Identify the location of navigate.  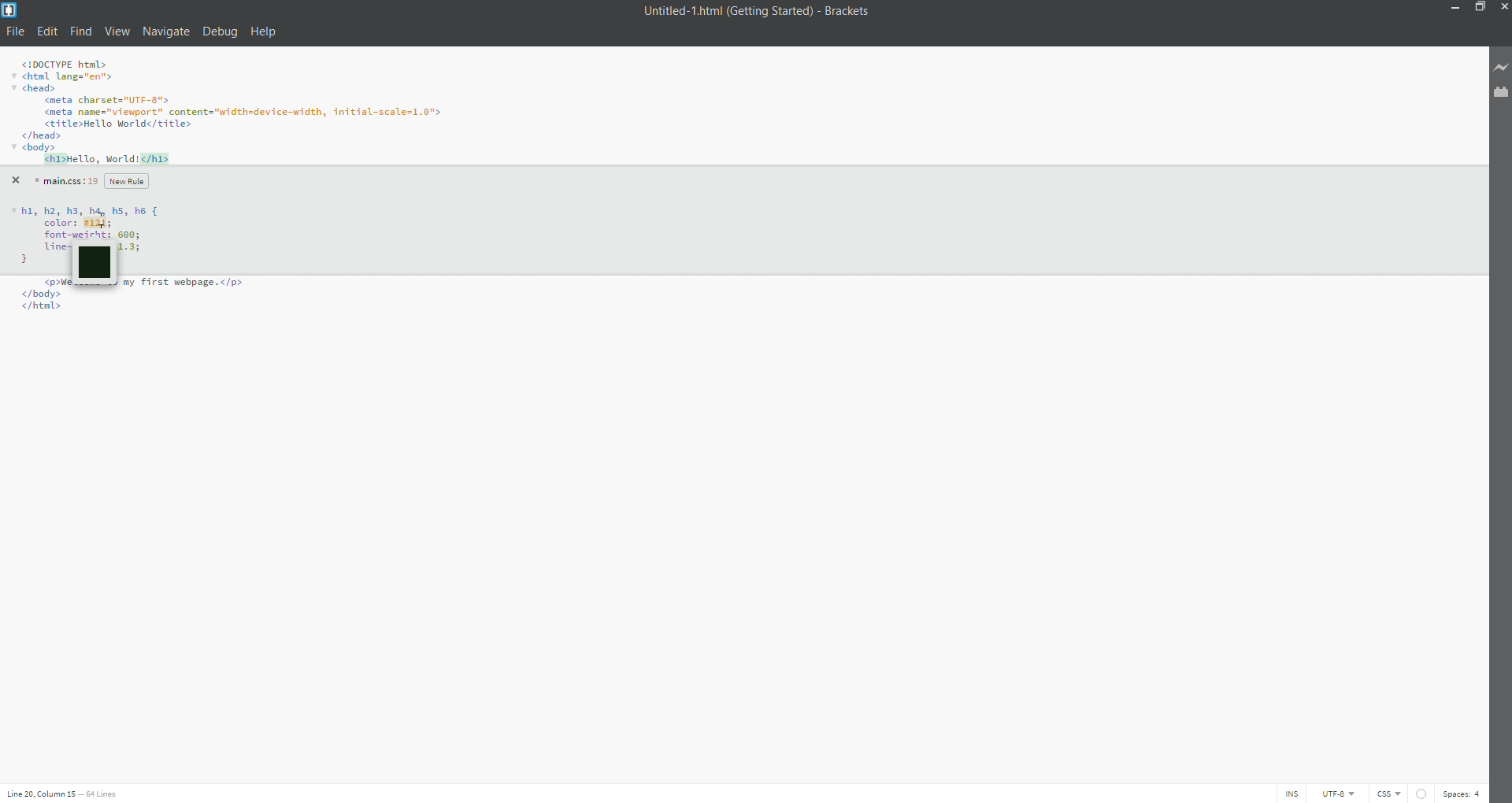
(166, 29).